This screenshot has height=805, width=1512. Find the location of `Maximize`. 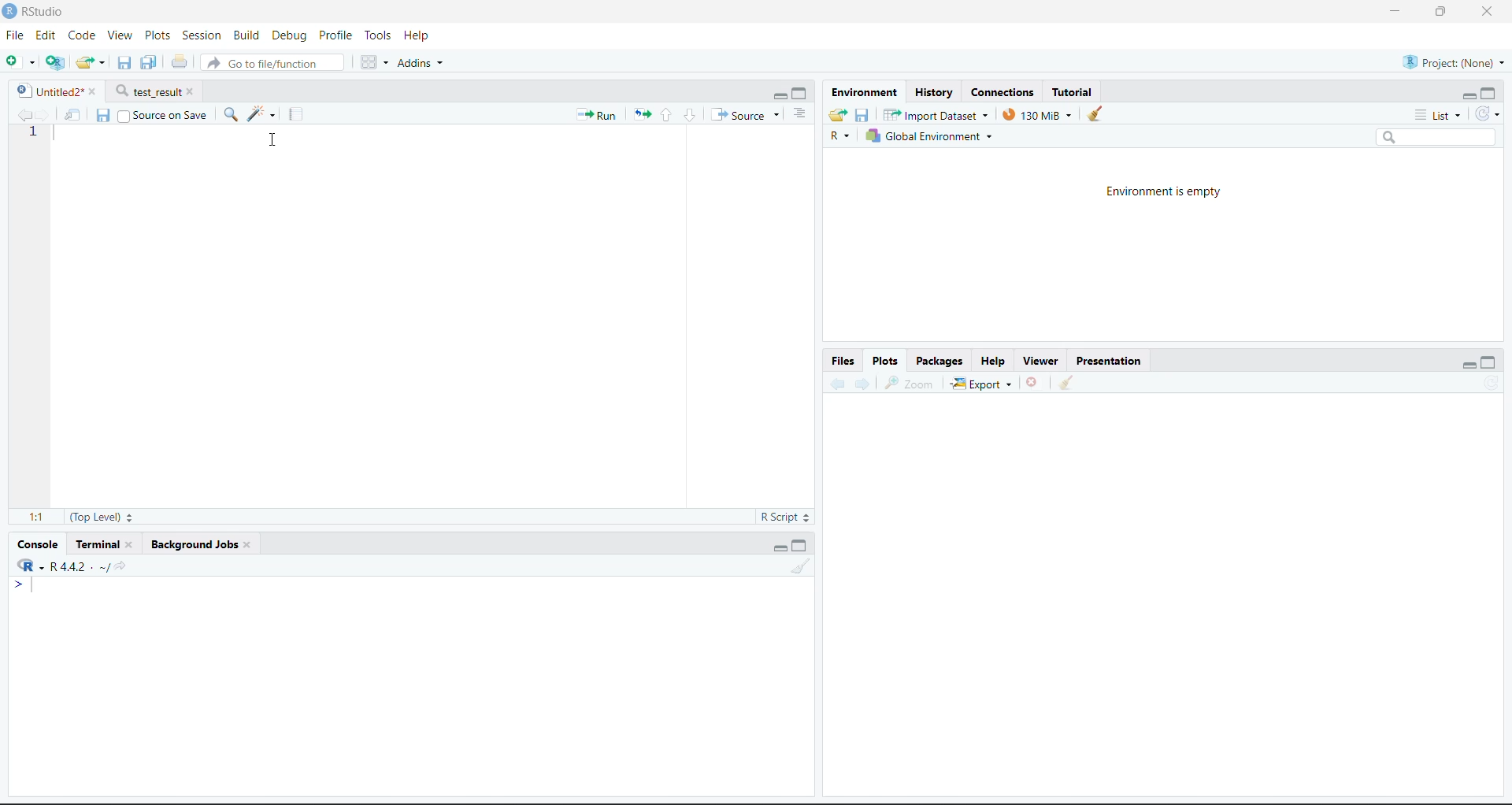

Maximize is located at coordinates (801, 546).